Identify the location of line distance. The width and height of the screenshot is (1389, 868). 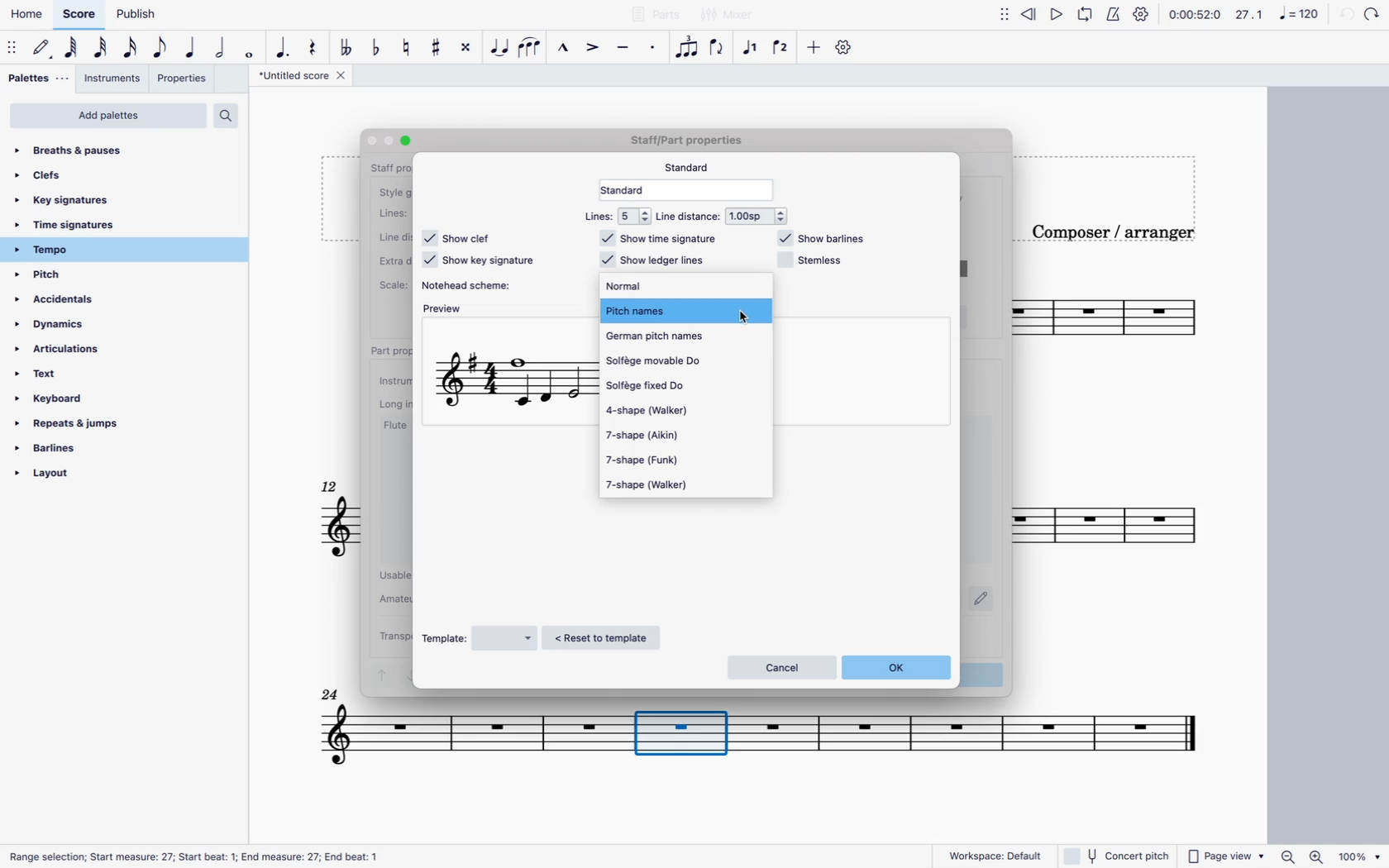
(725, 216).